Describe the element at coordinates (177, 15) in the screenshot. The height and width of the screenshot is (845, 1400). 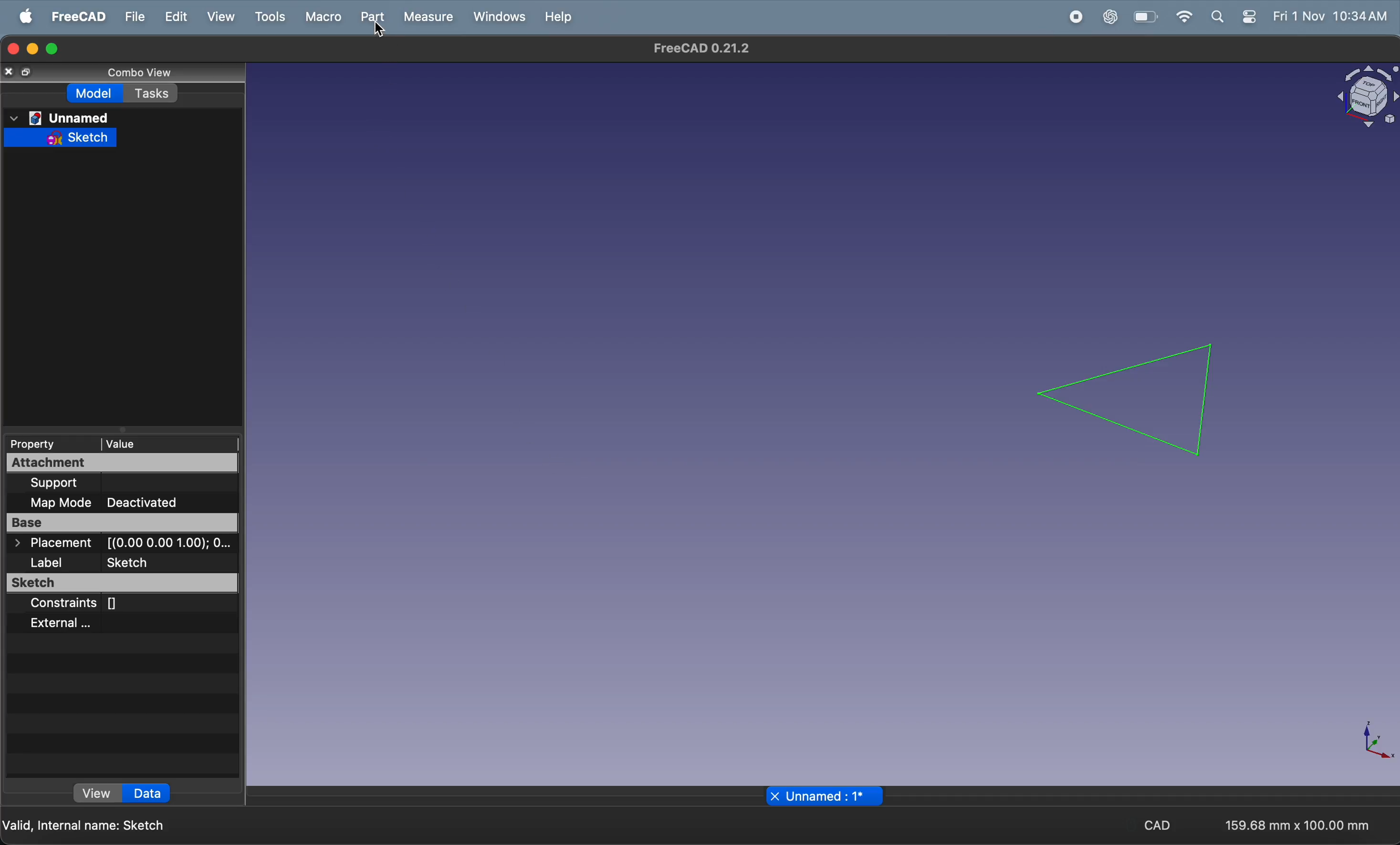
I see `edit` at that location.